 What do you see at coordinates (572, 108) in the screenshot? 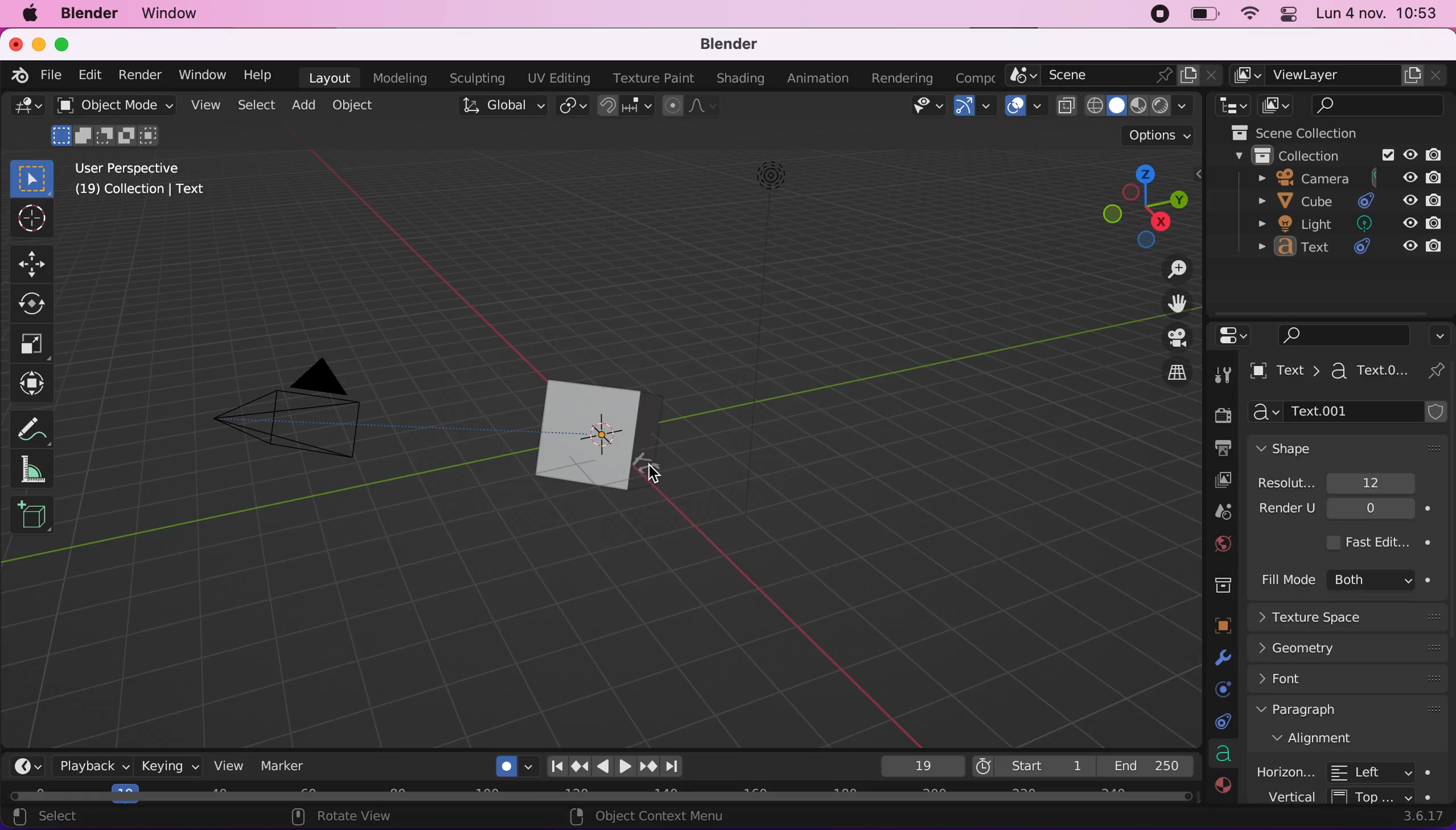
I see `transform pivot point` at bounding box center [572, 108].